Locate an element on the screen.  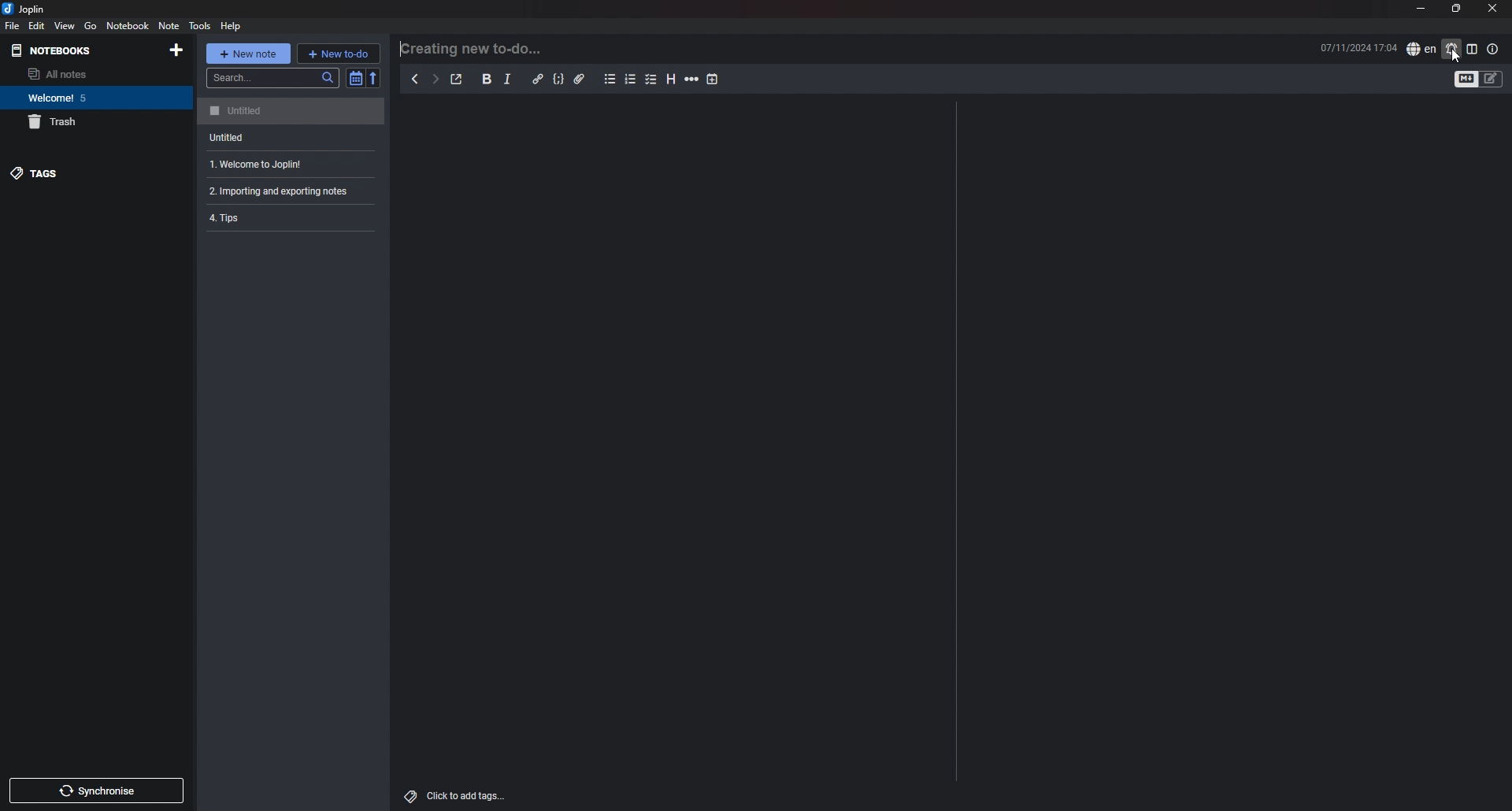
italic is located at coordinates (508, 80).